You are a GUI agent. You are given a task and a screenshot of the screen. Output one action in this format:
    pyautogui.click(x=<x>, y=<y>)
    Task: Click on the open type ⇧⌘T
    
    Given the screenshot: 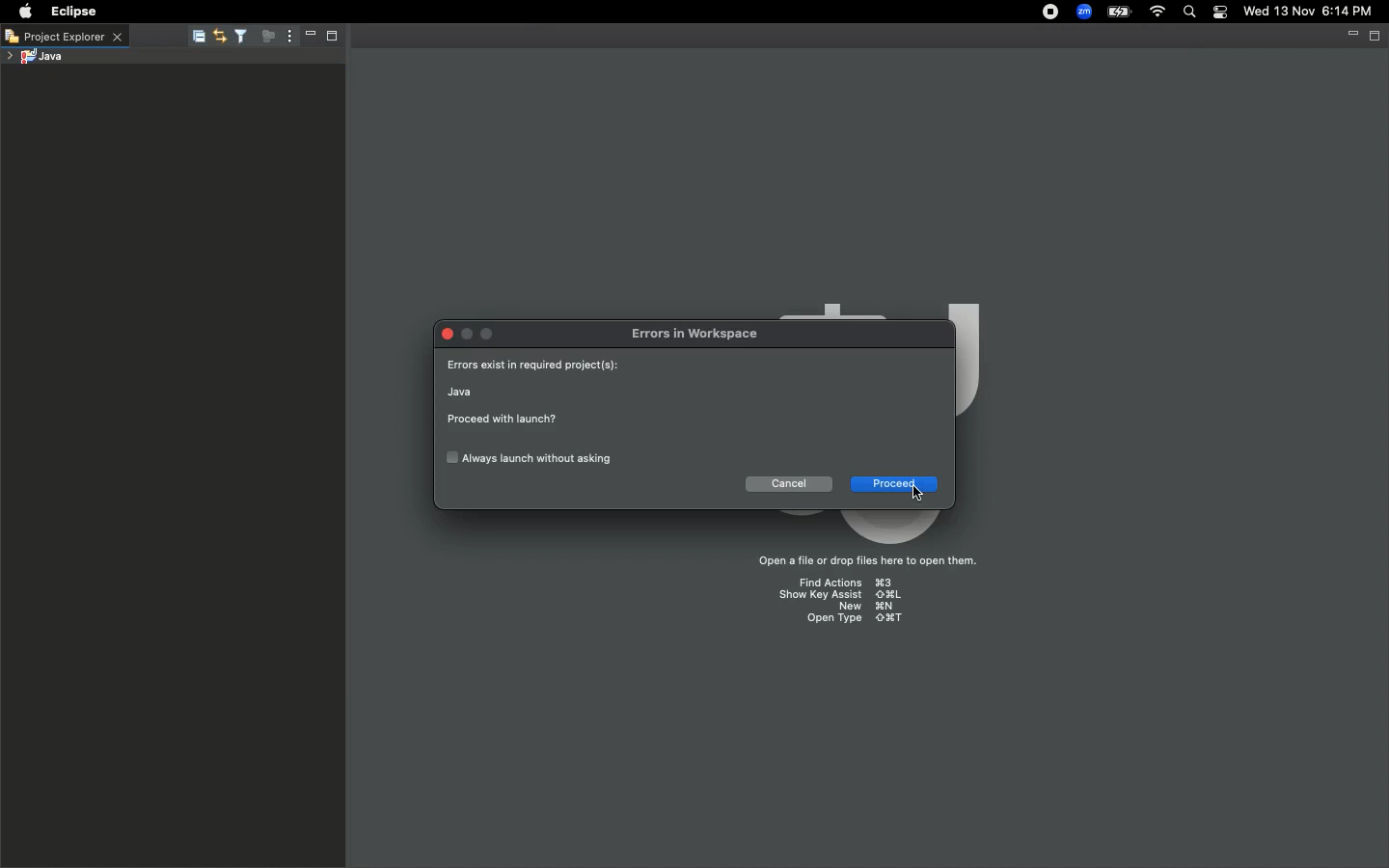 What is the action you would take?
    pyautogui.click(x=851, y=618)
    